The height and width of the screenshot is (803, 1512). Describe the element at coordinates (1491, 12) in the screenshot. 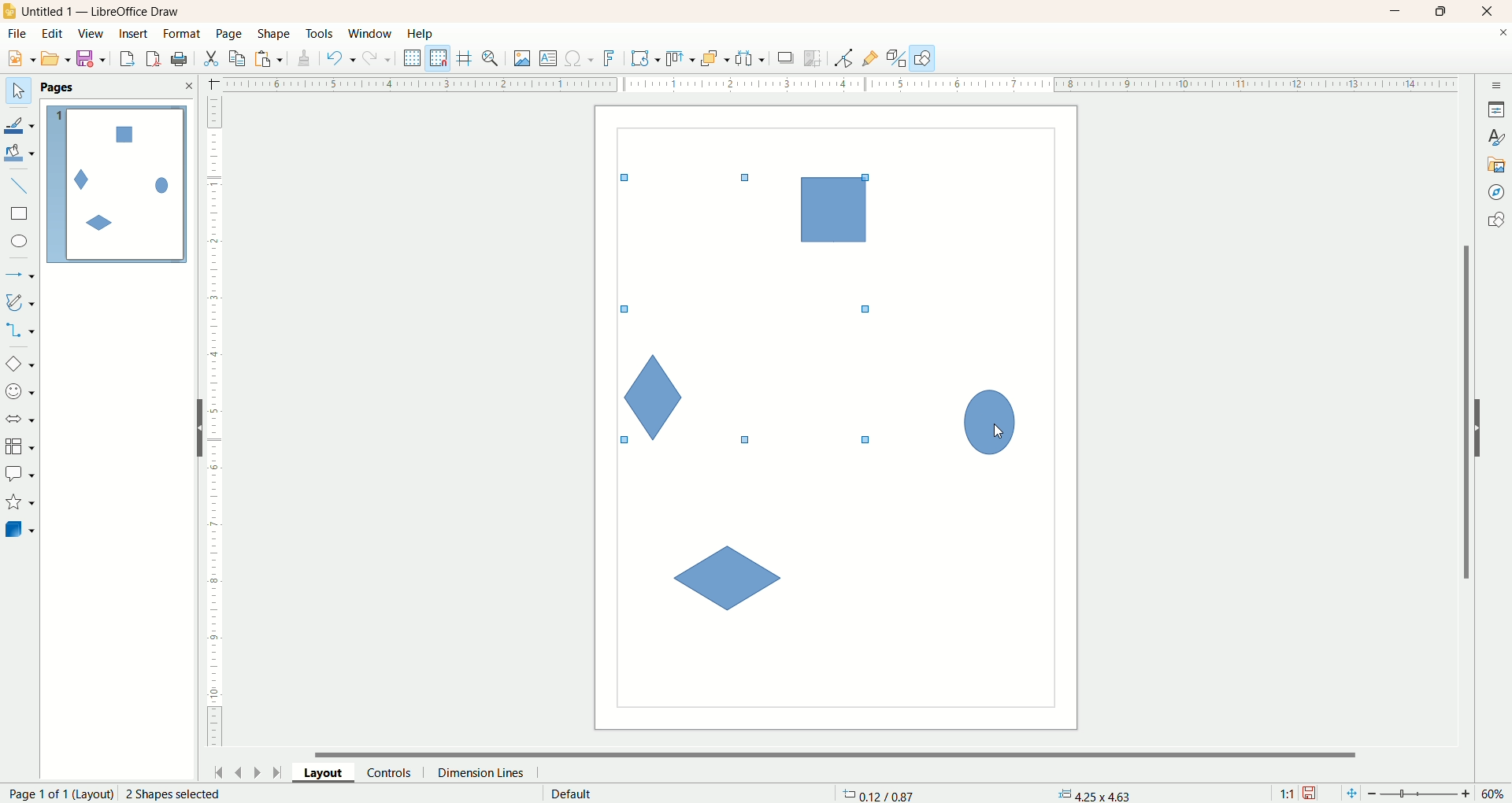

I see `close` at that location.